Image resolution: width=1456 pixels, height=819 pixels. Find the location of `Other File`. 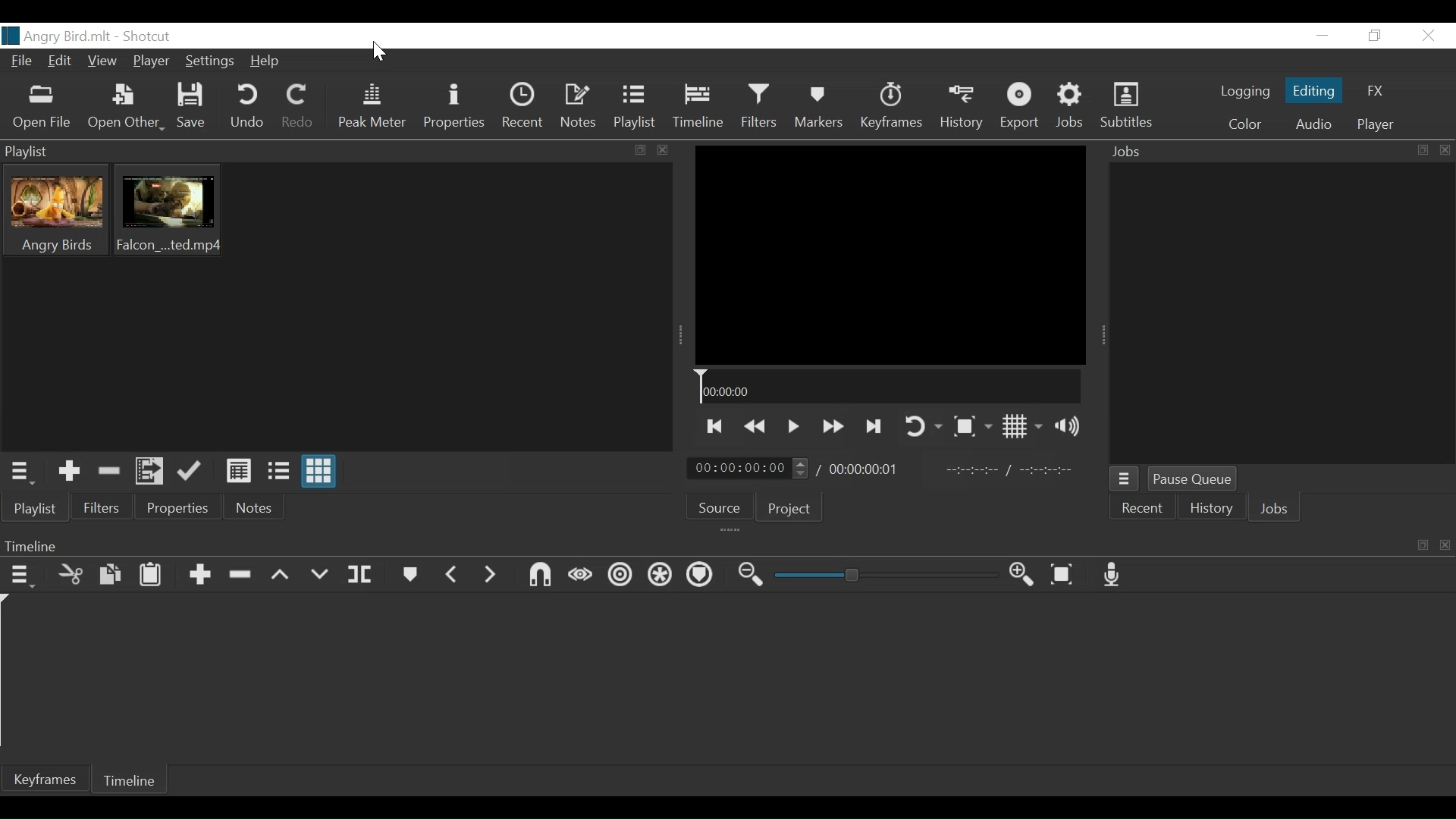

Other File is located at coordinates (122, 107).